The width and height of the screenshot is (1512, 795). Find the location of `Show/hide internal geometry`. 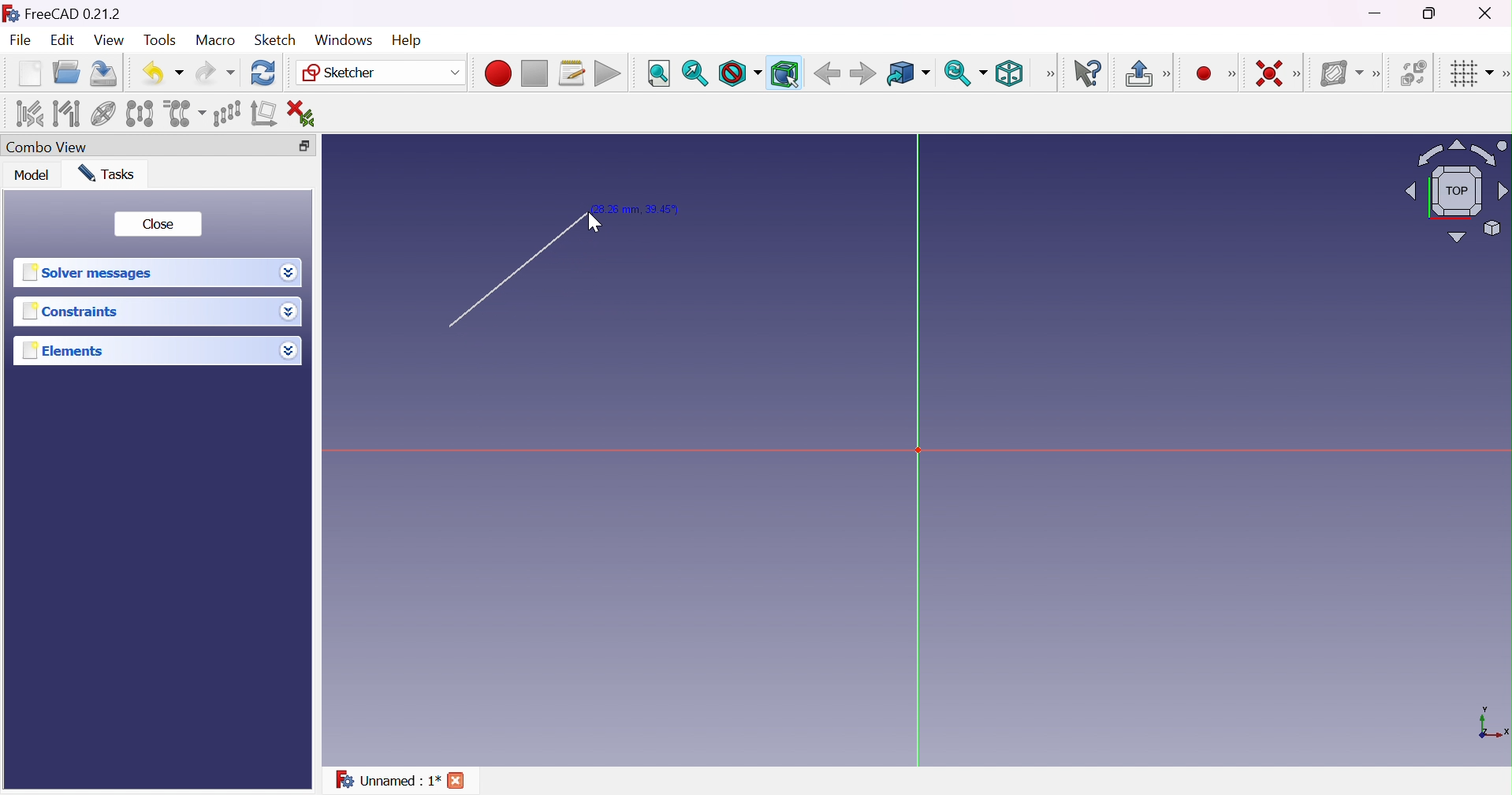

Show/hide internal geometry is located at coordinates (102, 114).